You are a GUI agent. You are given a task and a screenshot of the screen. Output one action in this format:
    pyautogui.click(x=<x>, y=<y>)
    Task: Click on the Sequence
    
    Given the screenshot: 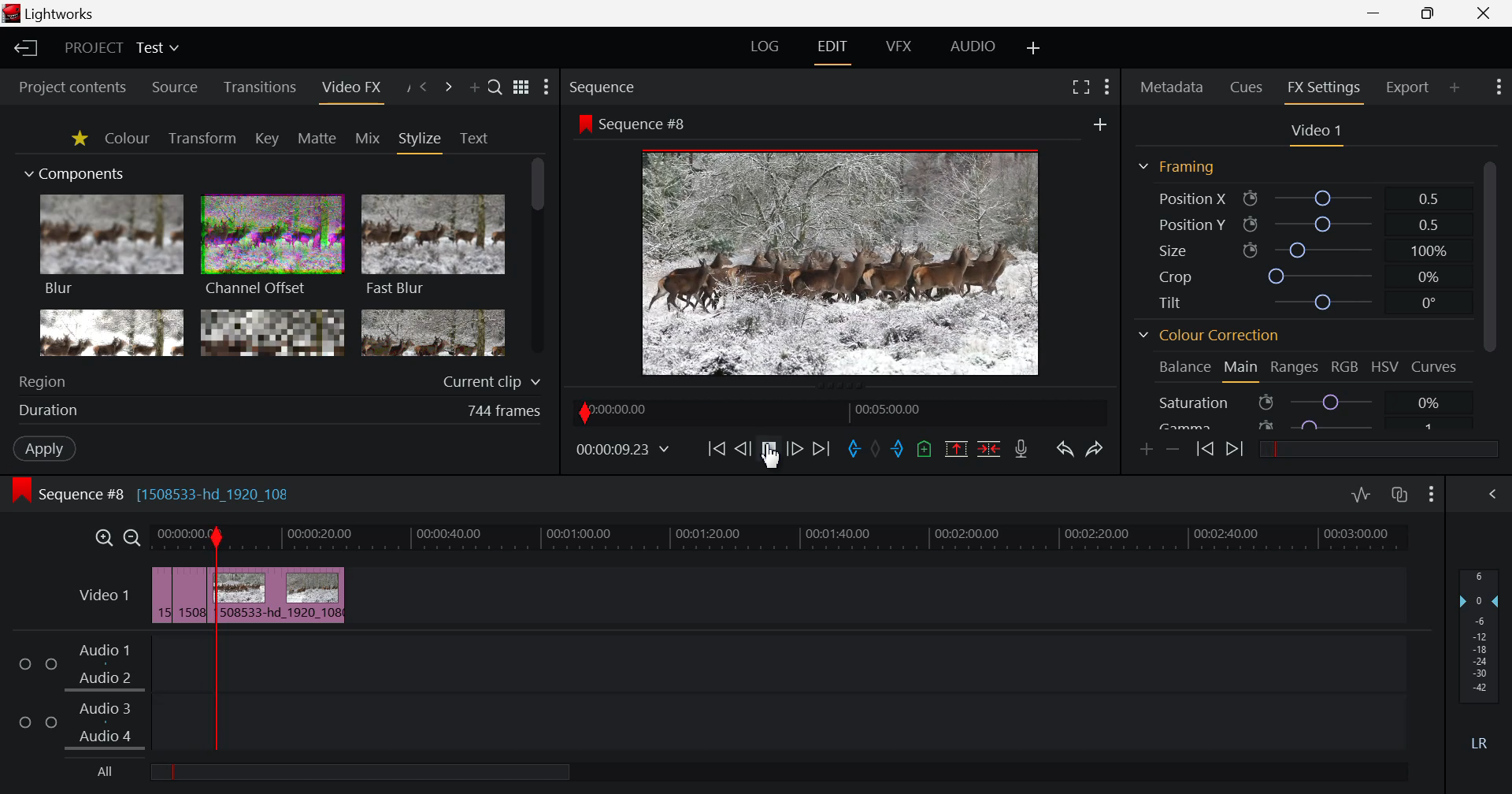 What is the action you would take?
    pyautogui.click(x=632, y=86)
    